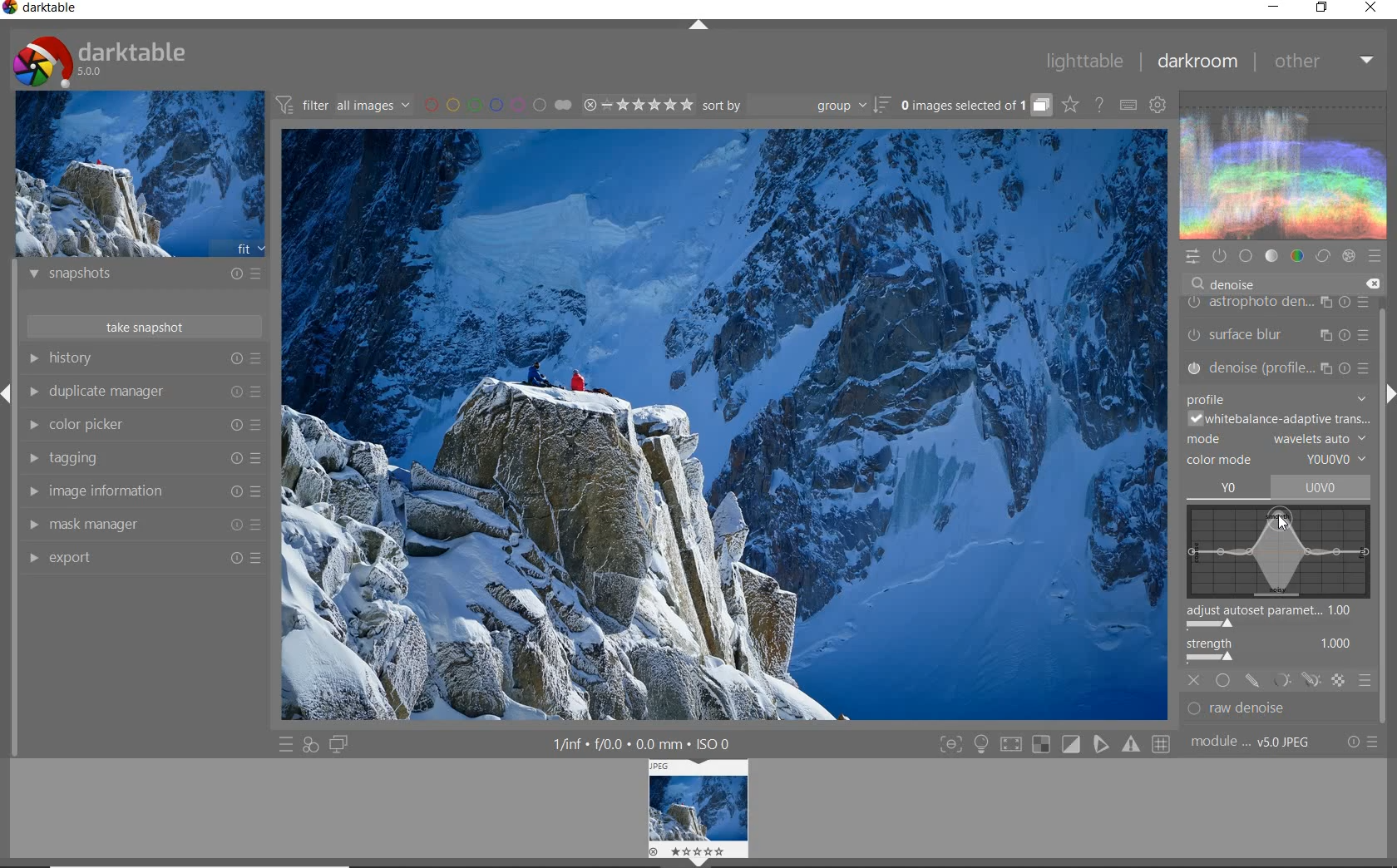 The image size is (1397, 868). Describe the element at coordinates (1128, 105) in the screenshot. I see `set keyboard shortcuts` at that location.